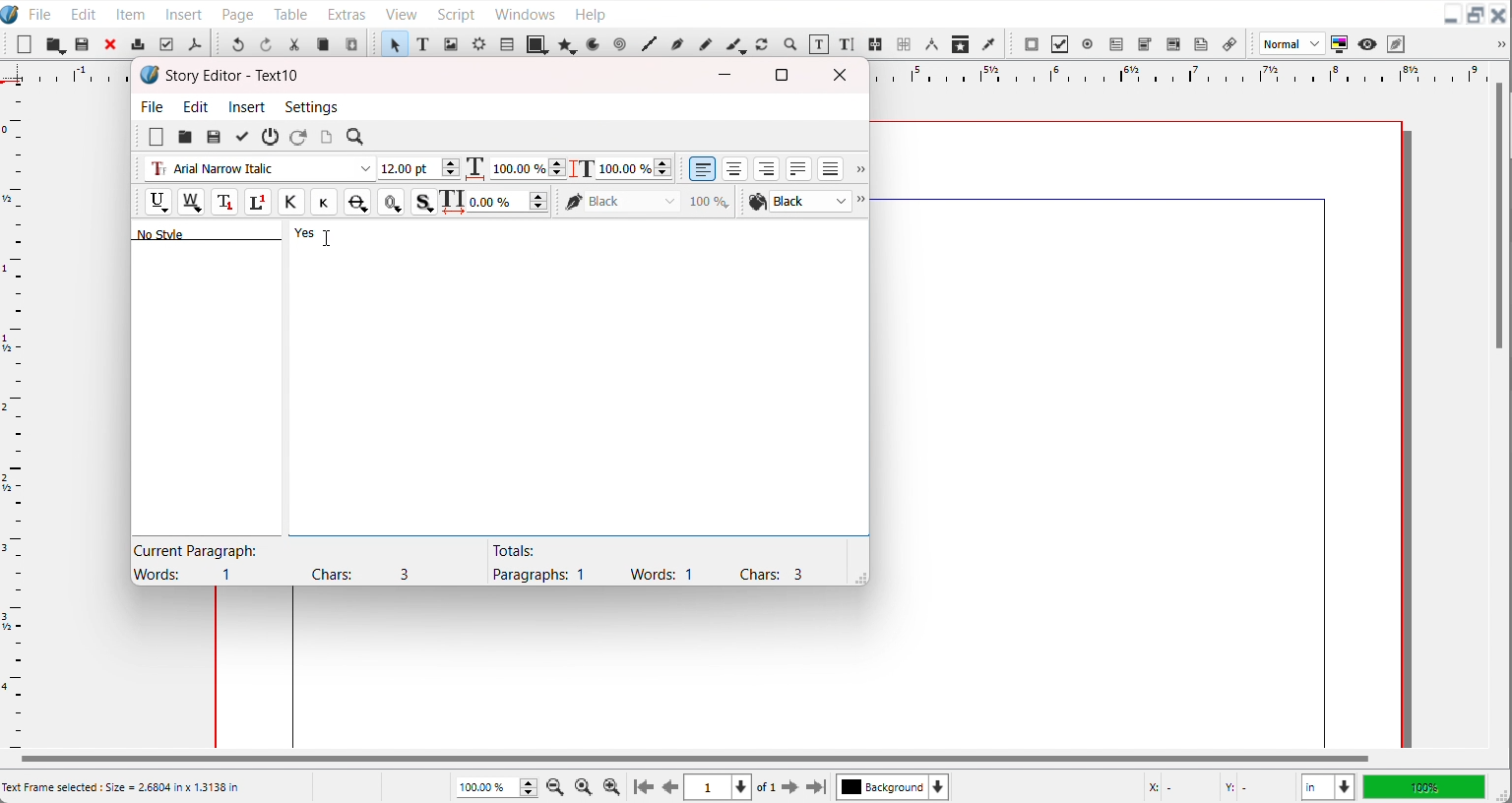  Describe the element at coordinates (612, 786) in the screenshot. I see `Zoom In` at that location.